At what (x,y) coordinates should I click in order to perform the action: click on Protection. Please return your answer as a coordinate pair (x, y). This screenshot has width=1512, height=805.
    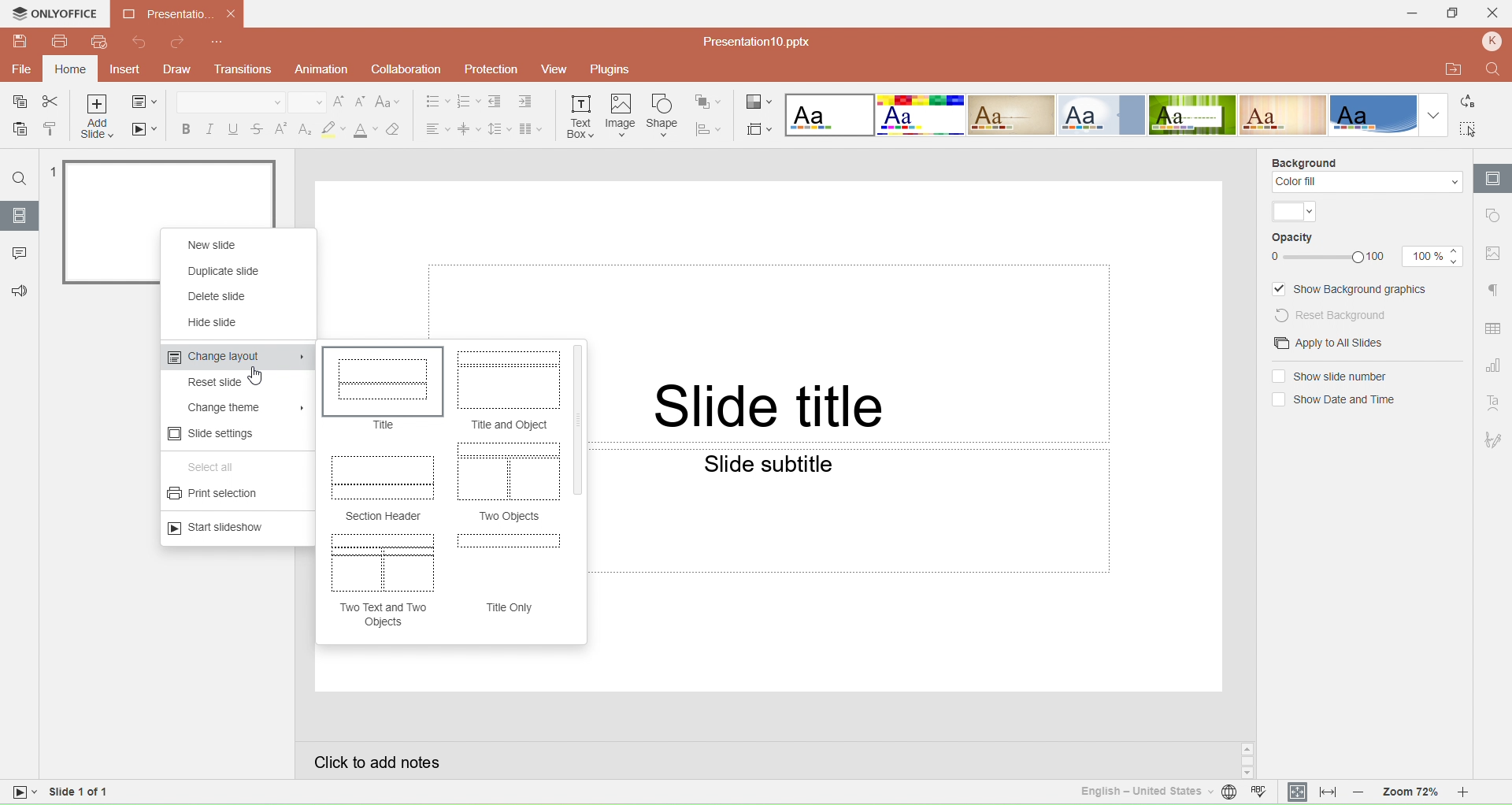
    Looking at the image, I should click on (487, 69).